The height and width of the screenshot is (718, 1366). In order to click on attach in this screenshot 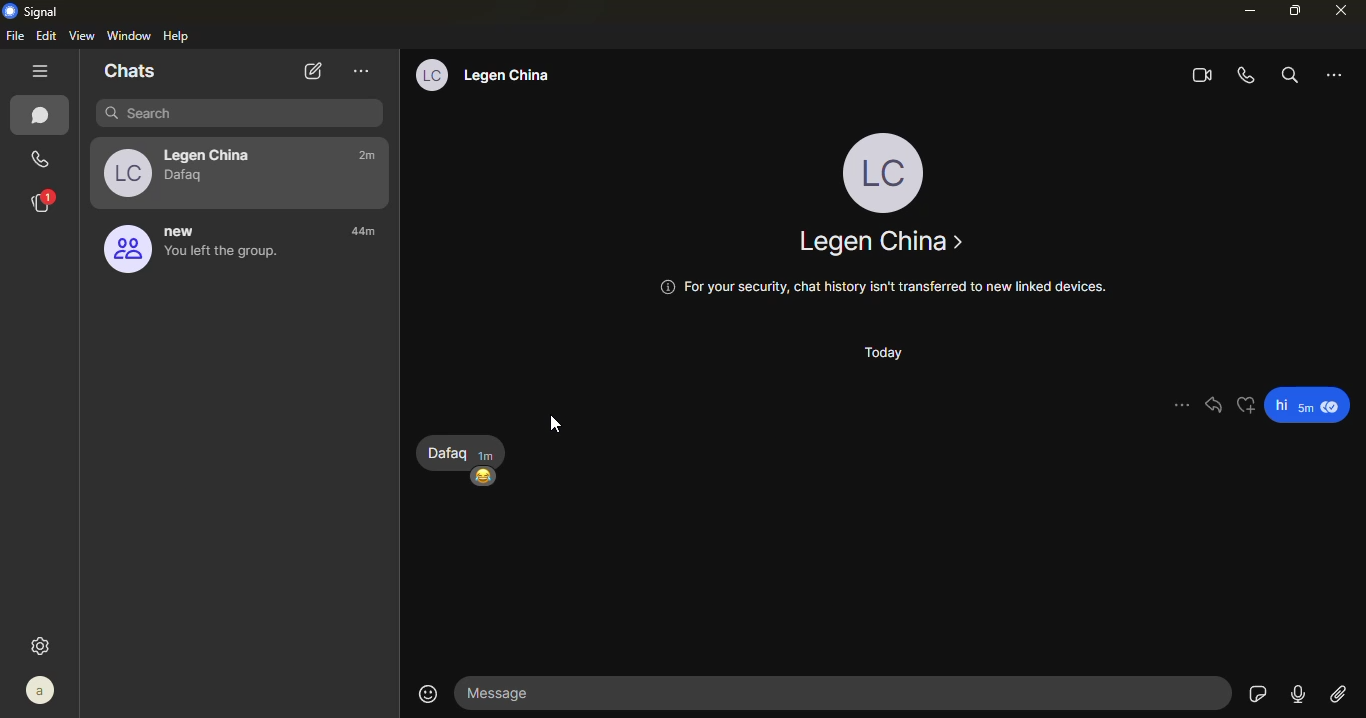, I will do `click(1339, 695)`.